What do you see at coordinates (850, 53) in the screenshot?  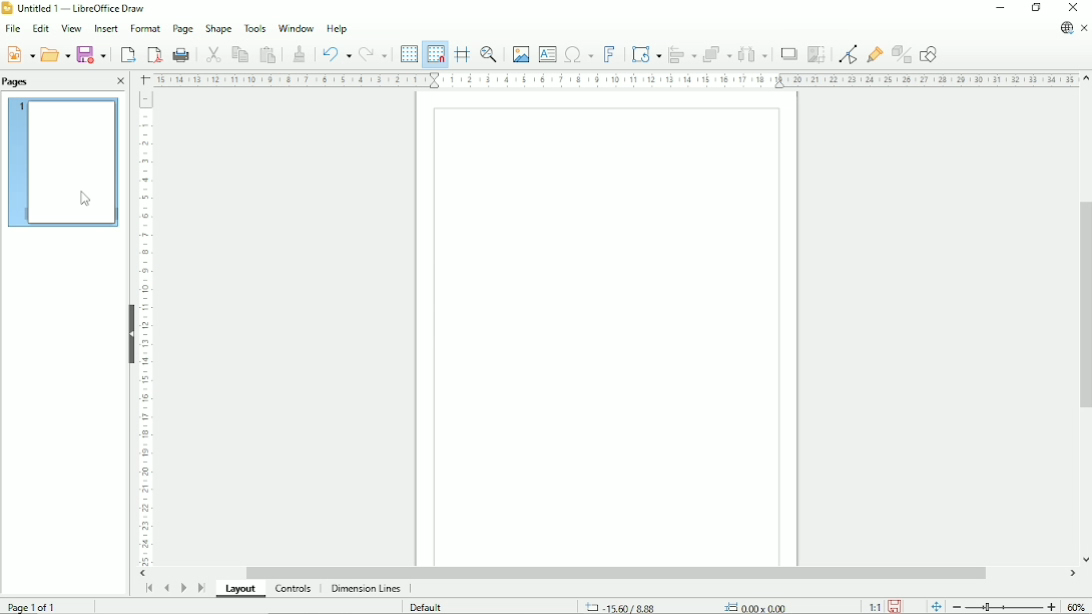 I see `Toggle point edit mode` at bounding box center [850, 53].